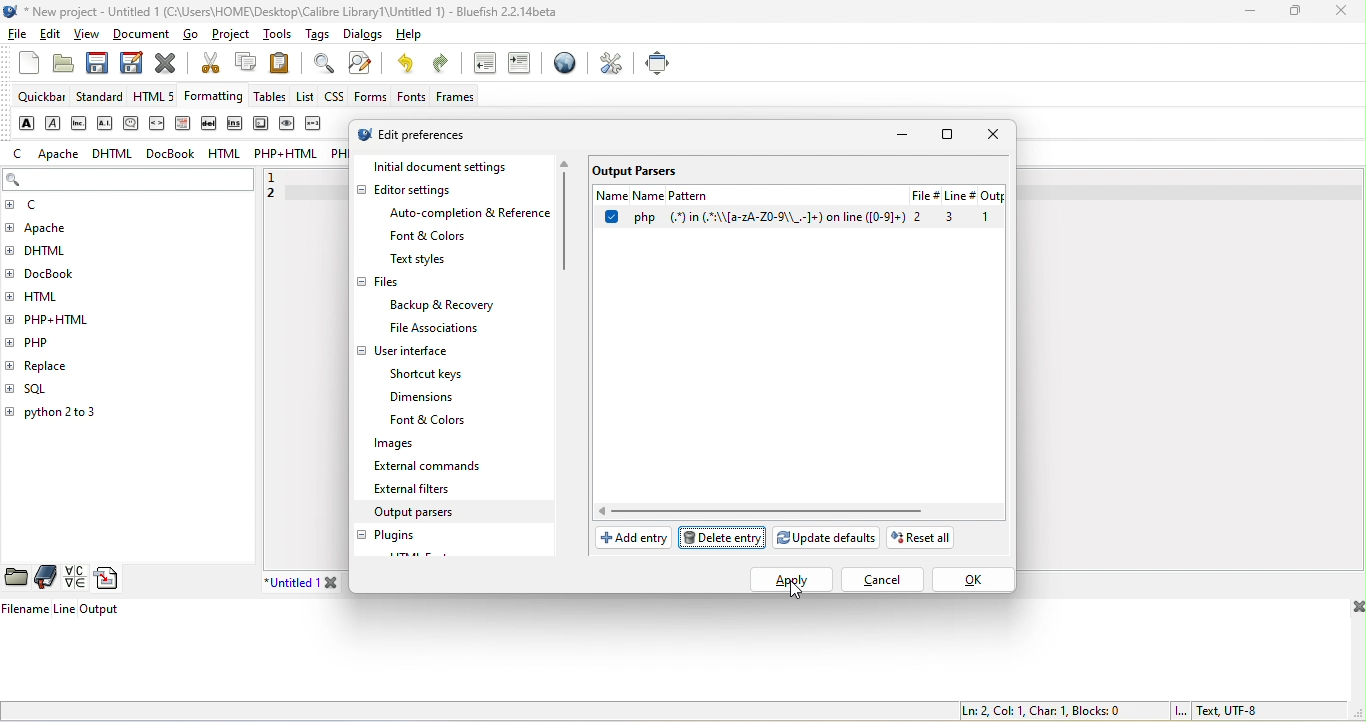  Describe the element at coordinates (794, 583) in the screenshot. I see `select apply` at that location.